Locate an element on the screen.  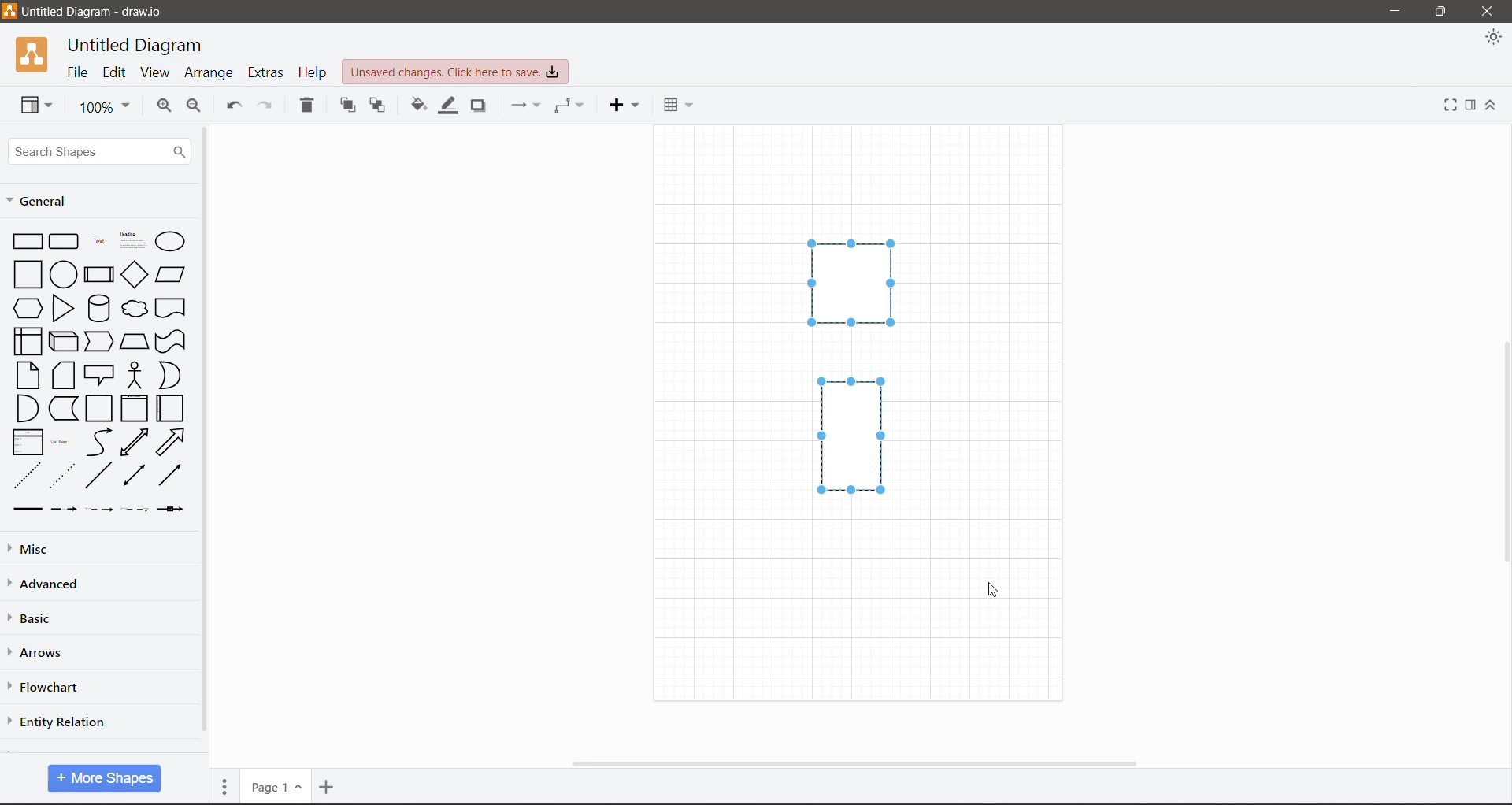
Extras is located at coordinates (265, 72).